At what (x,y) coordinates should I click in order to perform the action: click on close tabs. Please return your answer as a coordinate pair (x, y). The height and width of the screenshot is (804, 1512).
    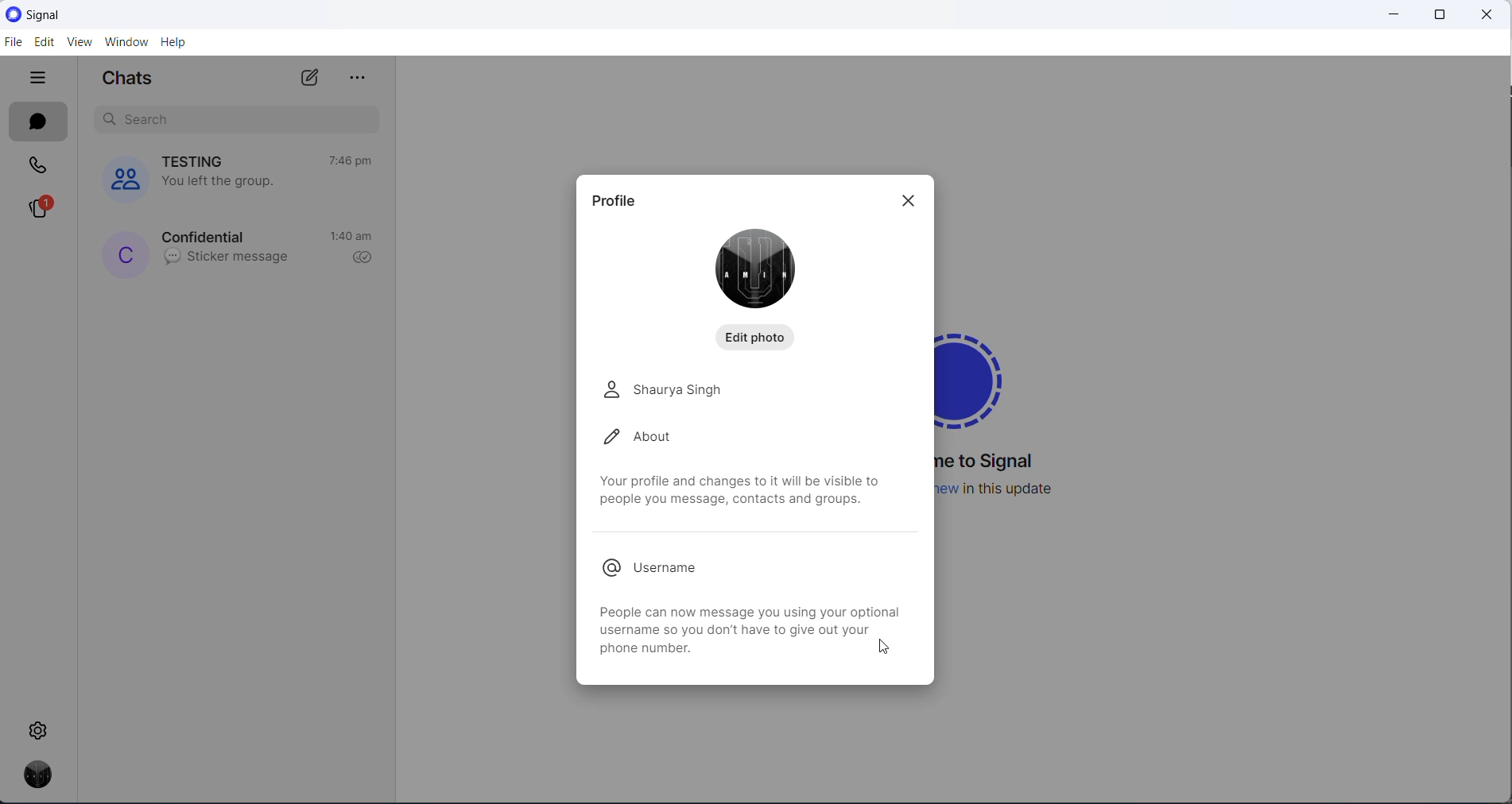
    Looking at the image, I should click on (41, 79).